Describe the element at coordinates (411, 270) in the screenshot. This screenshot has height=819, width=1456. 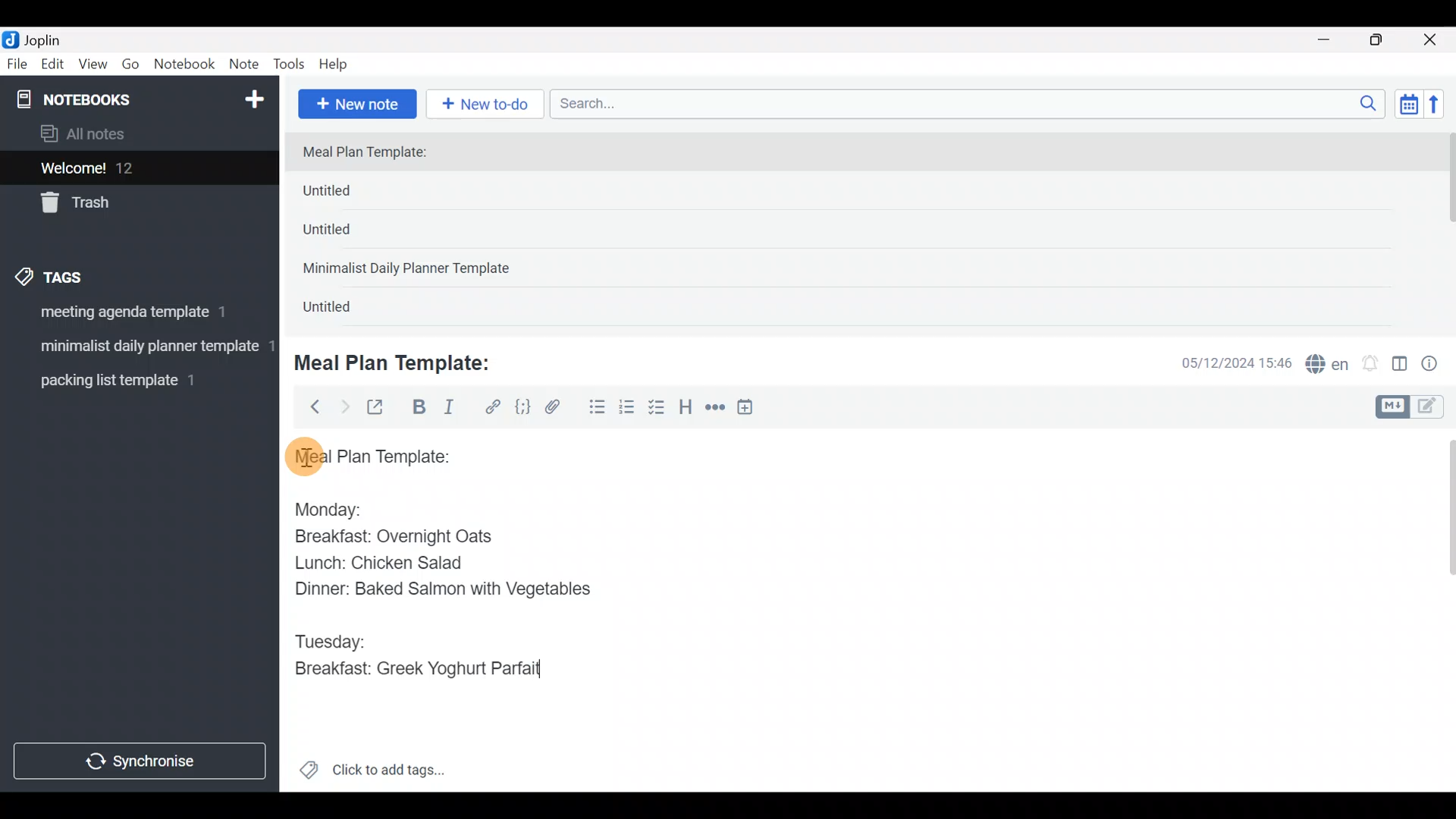
I see `Minimalist Daily Planner Template` at that location.